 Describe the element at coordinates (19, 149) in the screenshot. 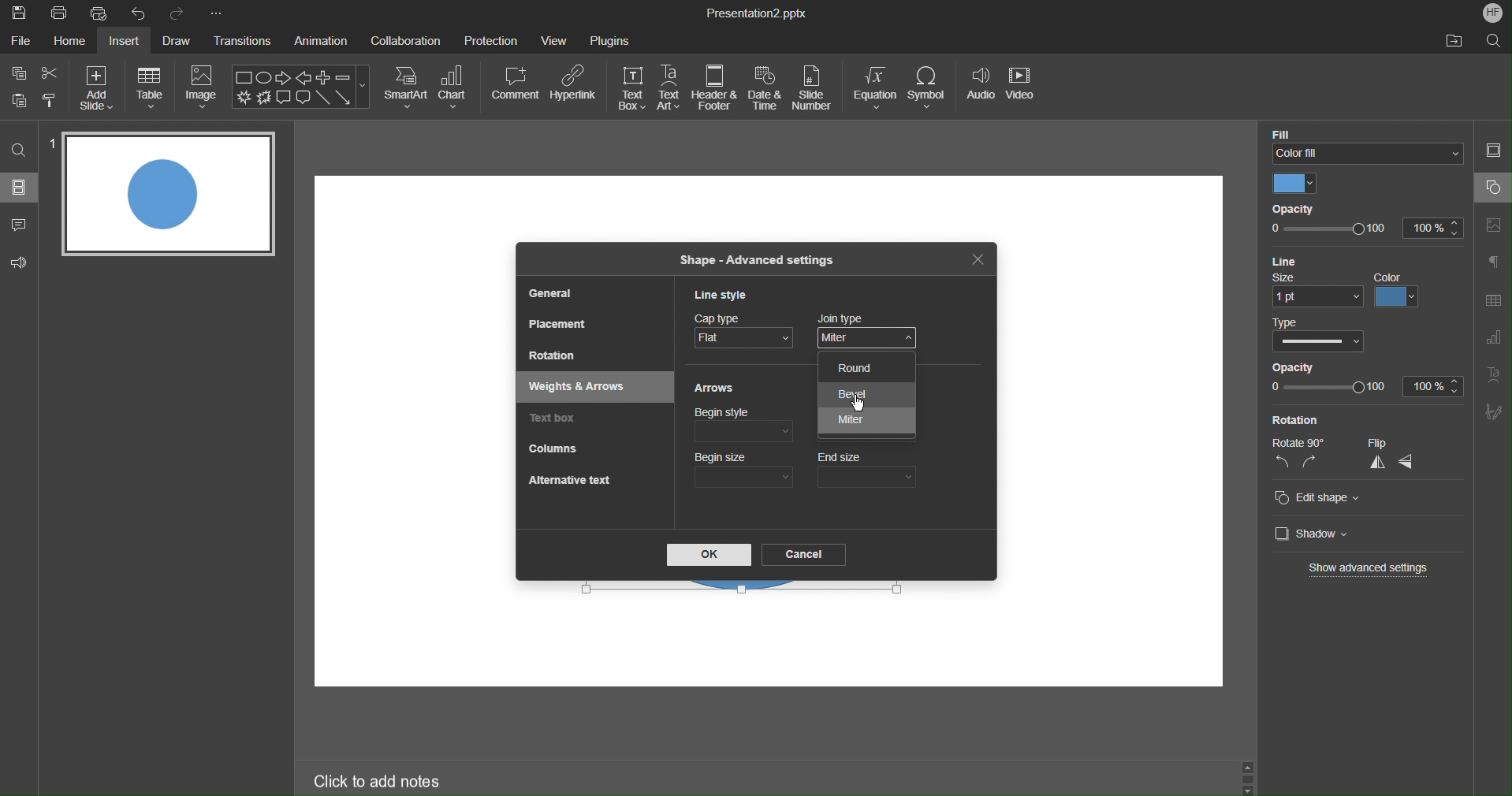

I see `Search` at that location.